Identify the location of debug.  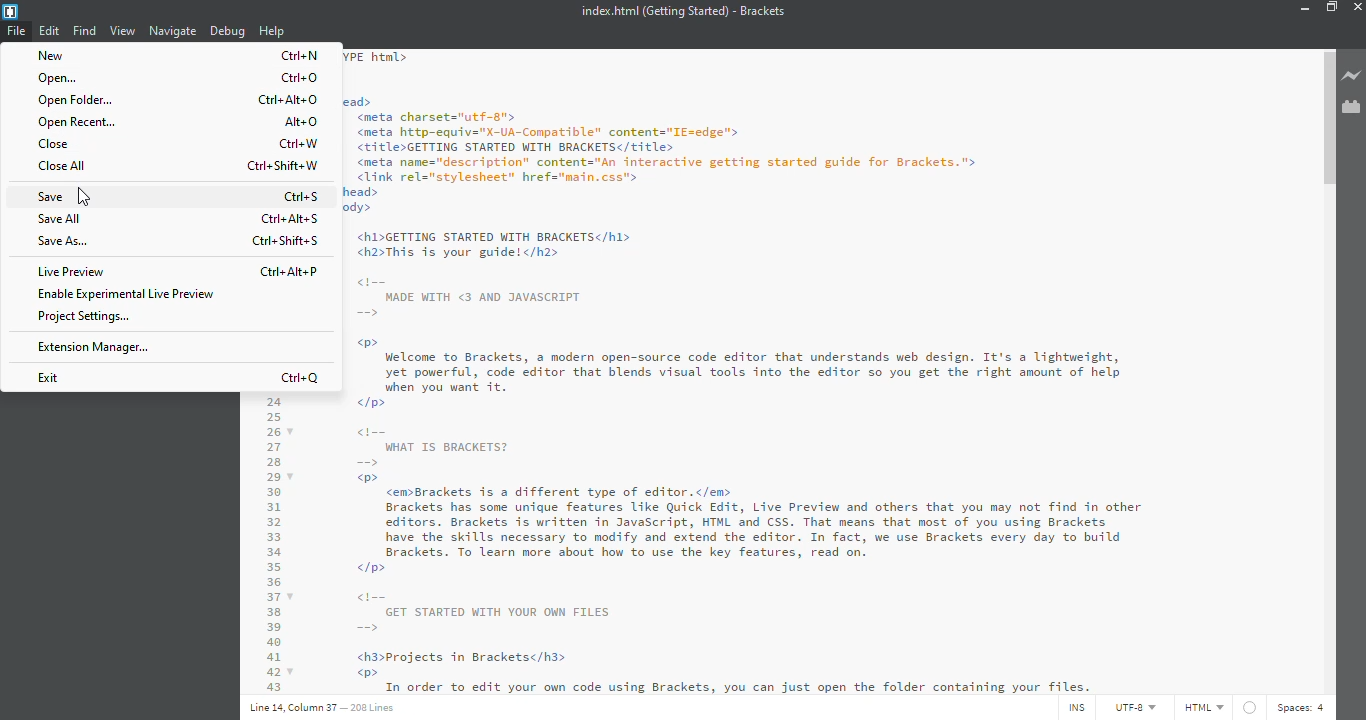
(226, 32).